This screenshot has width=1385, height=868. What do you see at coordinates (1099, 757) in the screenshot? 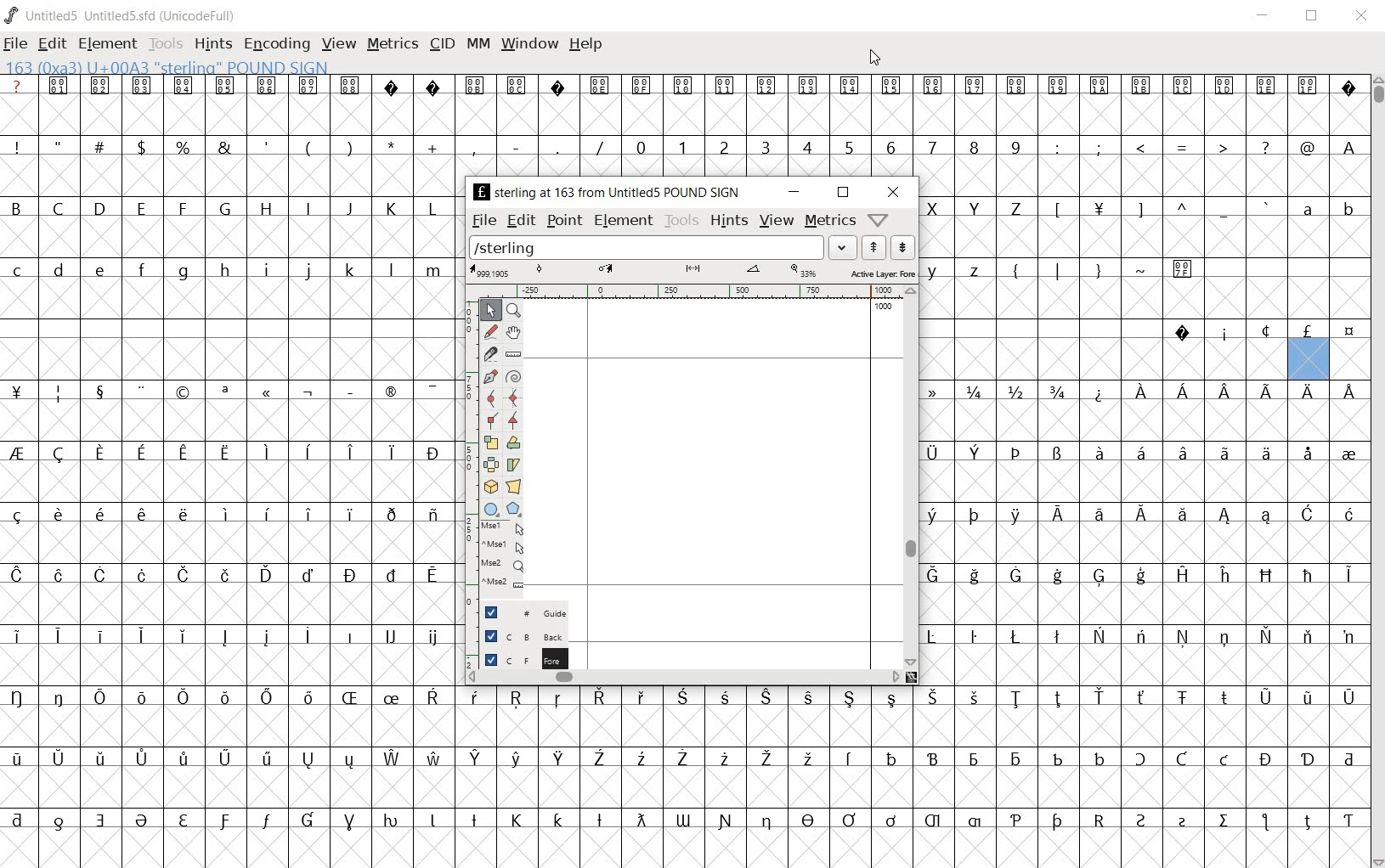
I see `Symbol` at bounding box center [1099, 757].